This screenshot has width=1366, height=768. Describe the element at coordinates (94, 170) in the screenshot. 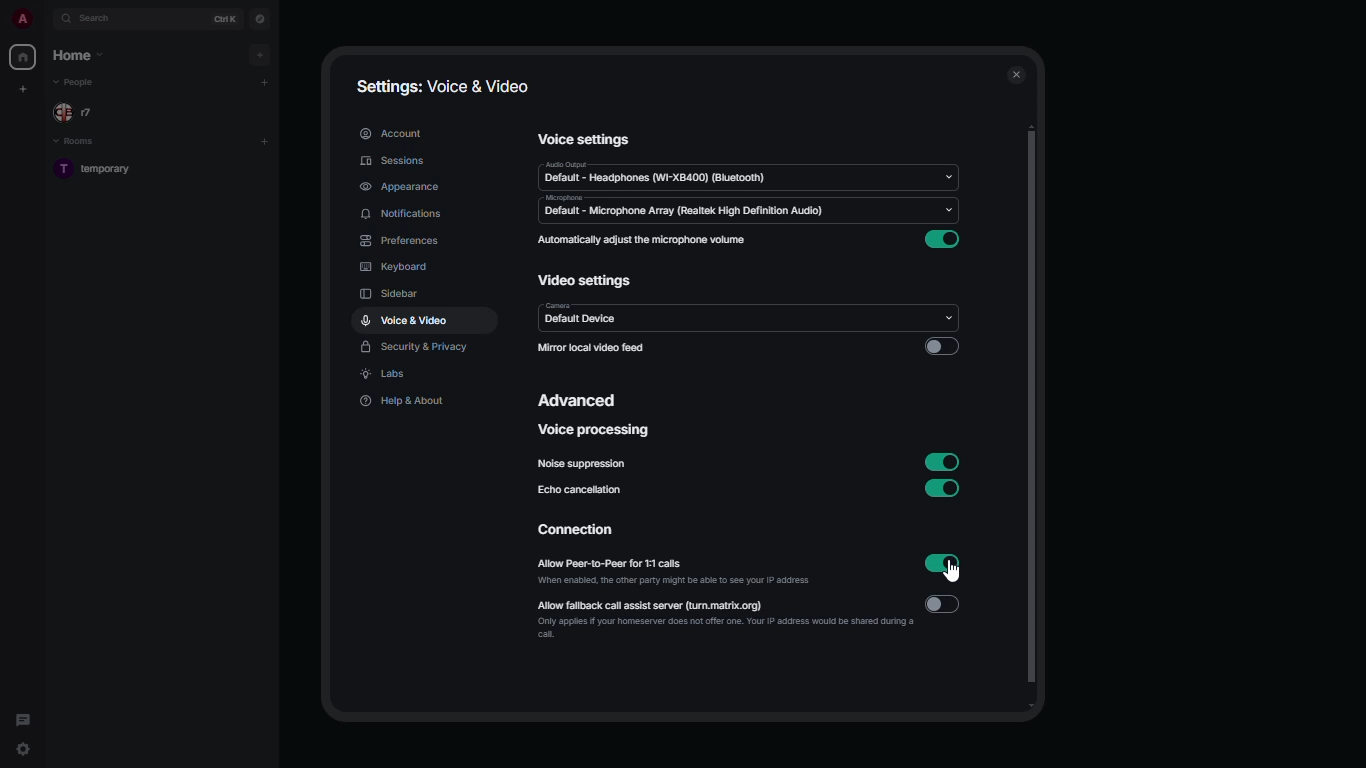

I see `T temporary` at that location.